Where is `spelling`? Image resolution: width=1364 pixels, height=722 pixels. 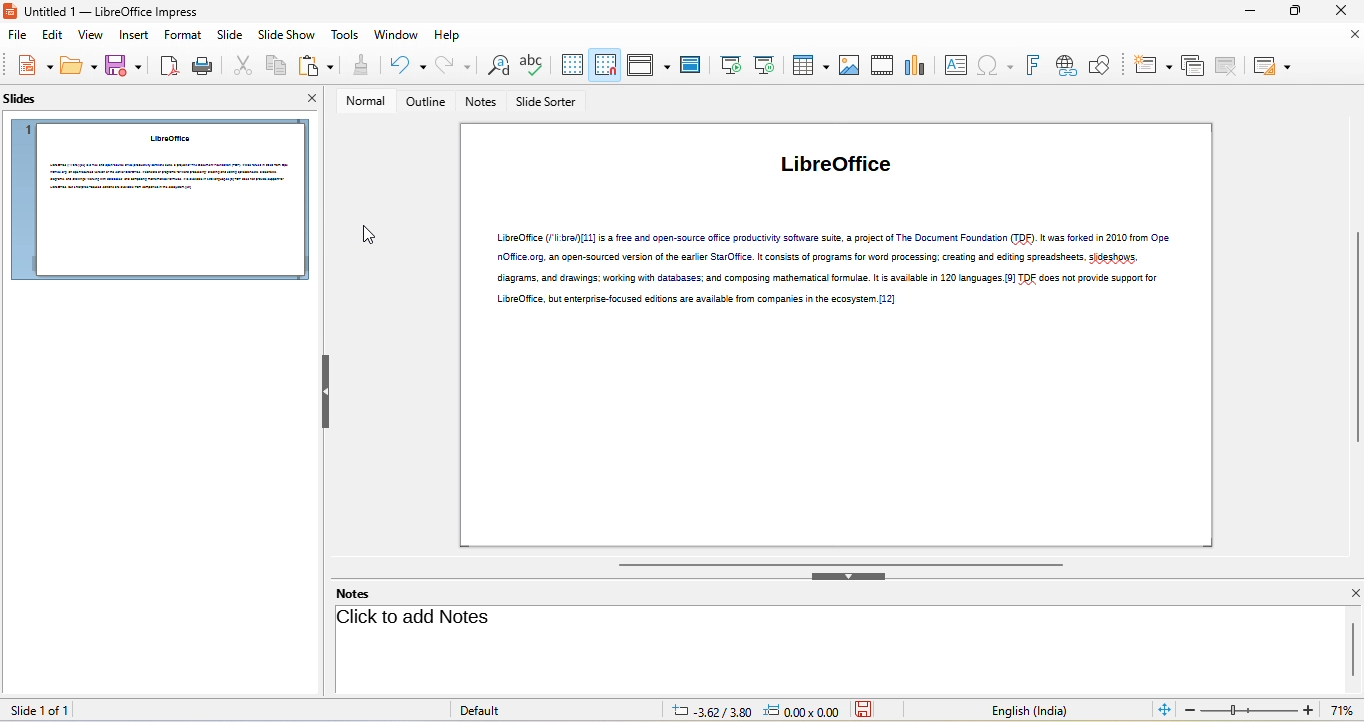 spelling is located at coordinates (535, 68).